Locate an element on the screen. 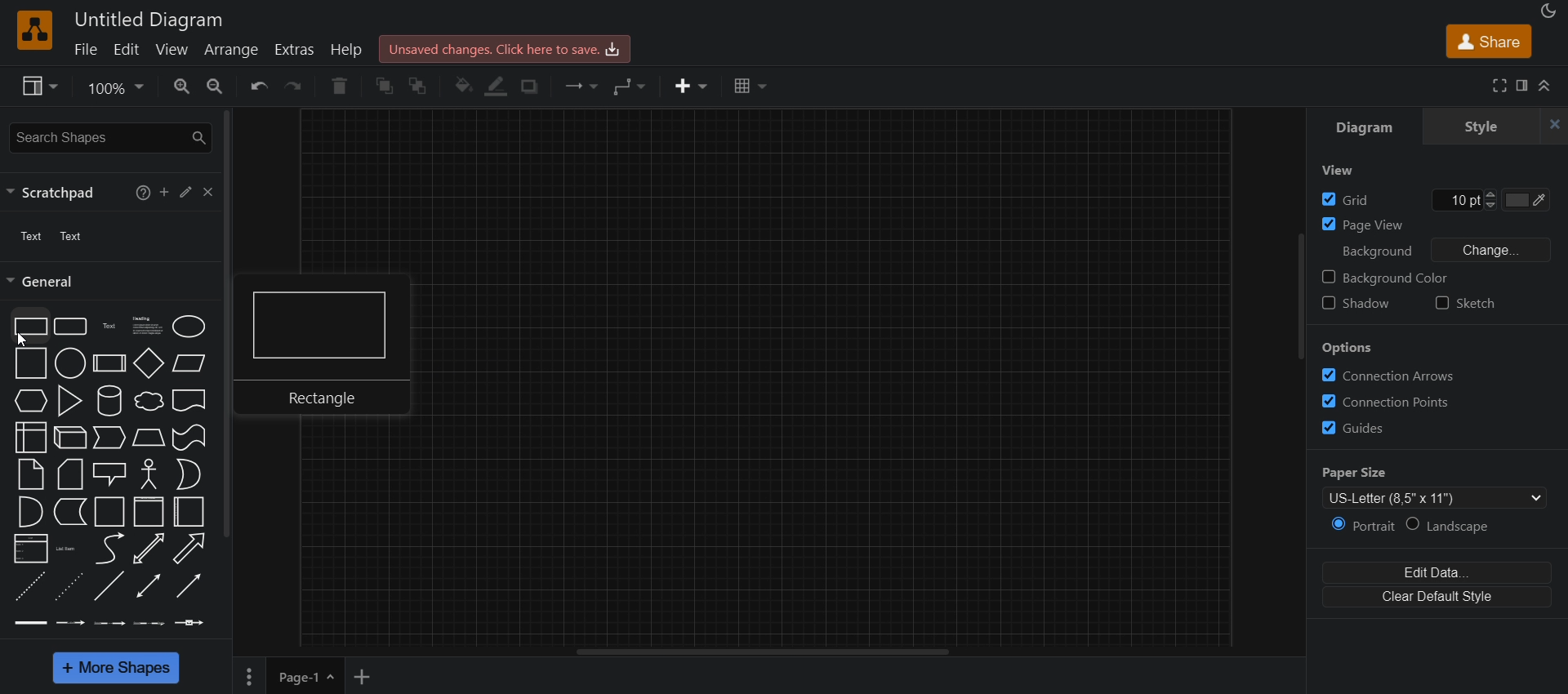 The width and height of the screenshot is (1568, 694). vertical scroll bar is located at coordinates (1299, 294).